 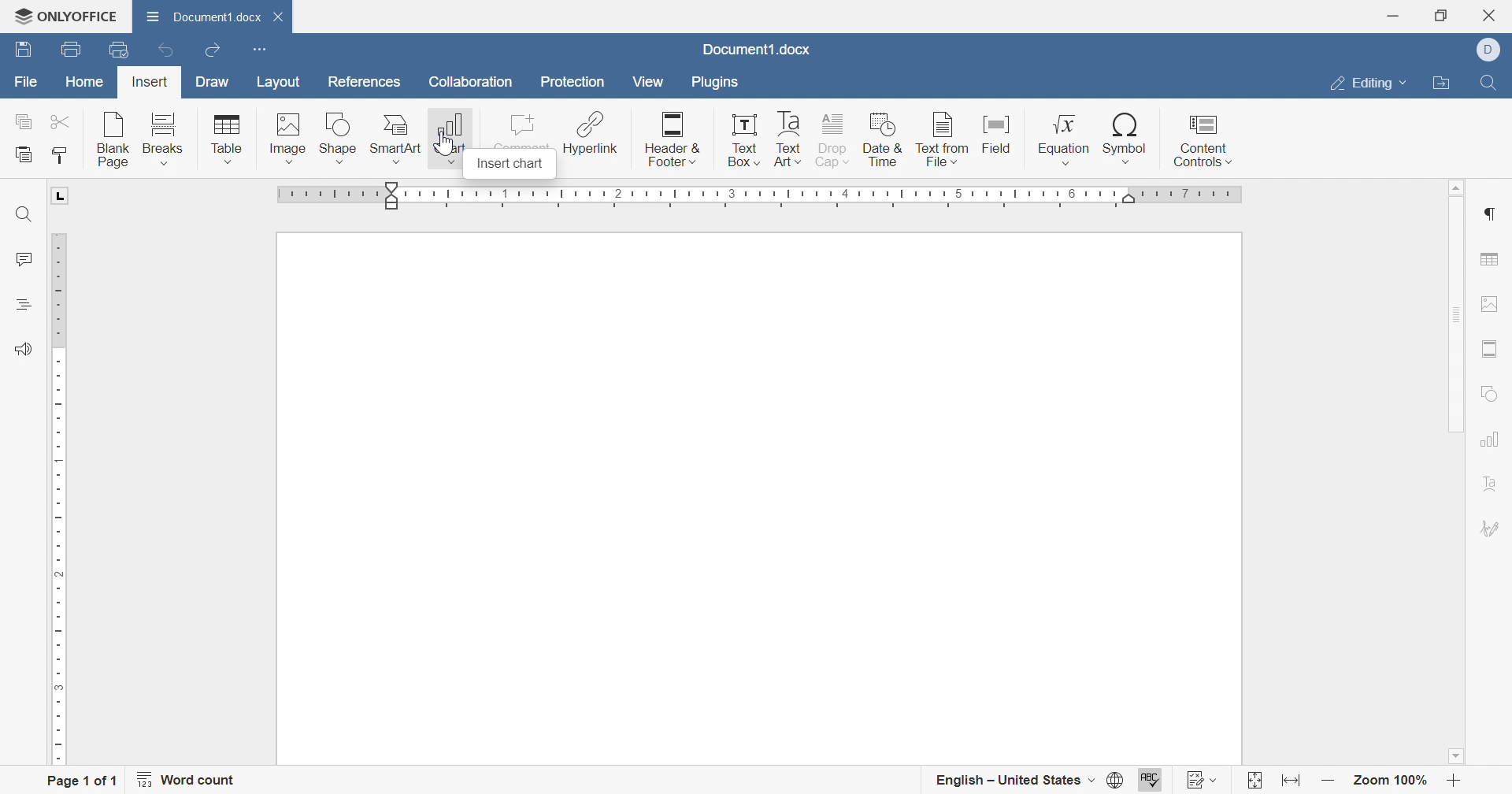 I want to click on Track changes, so click(x=1191, y=779).